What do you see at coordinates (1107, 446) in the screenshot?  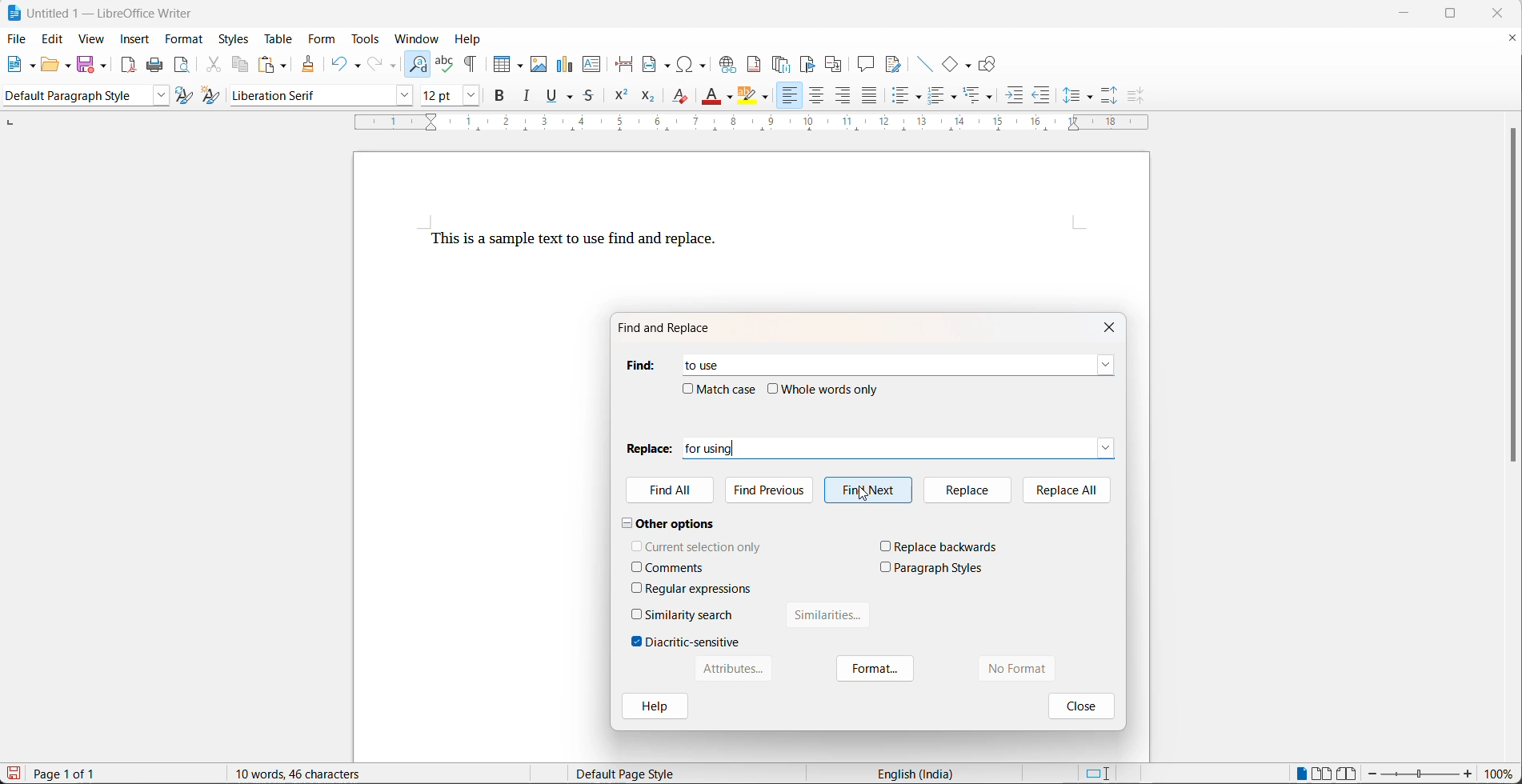 I see `replace dropdown button` at bounding box center [1107, 446].